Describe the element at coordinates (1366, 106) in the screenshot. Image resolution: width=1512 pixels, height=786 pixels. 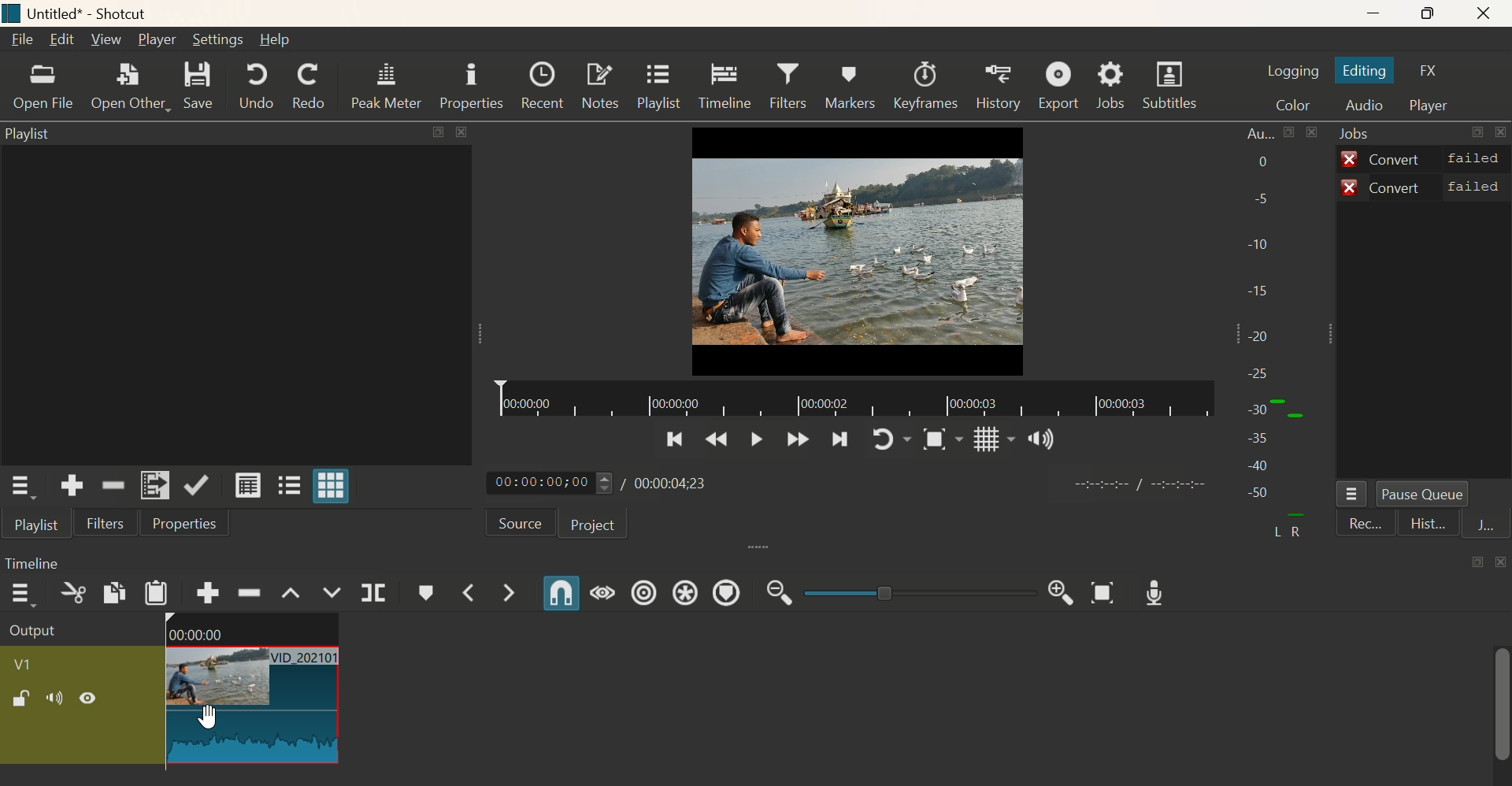
I see `Audio` at that location.